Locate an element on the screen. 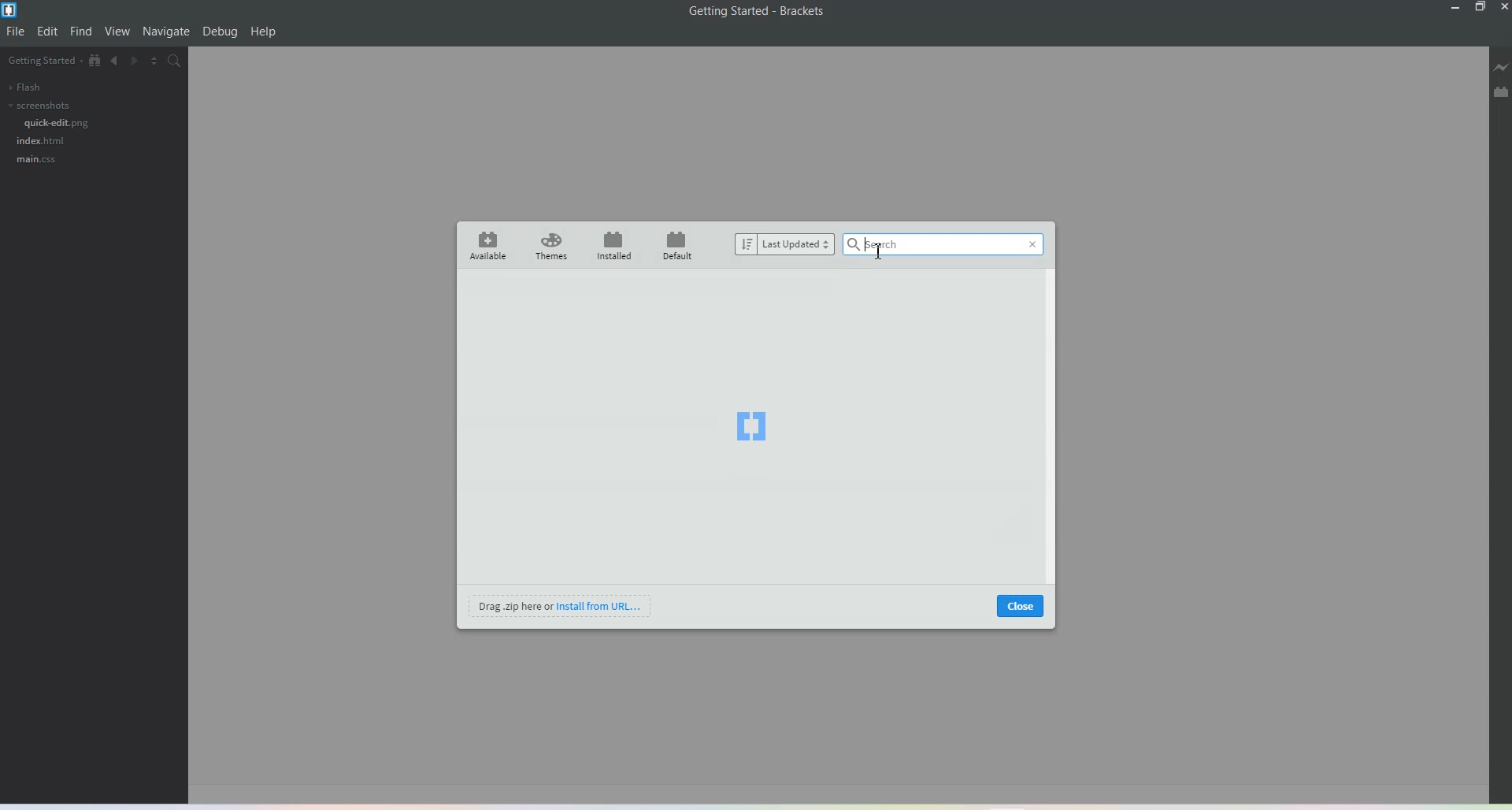 Image resolution: width=1512 pixels, height=810 pixels. Debug is located at coordinates (220, 32).